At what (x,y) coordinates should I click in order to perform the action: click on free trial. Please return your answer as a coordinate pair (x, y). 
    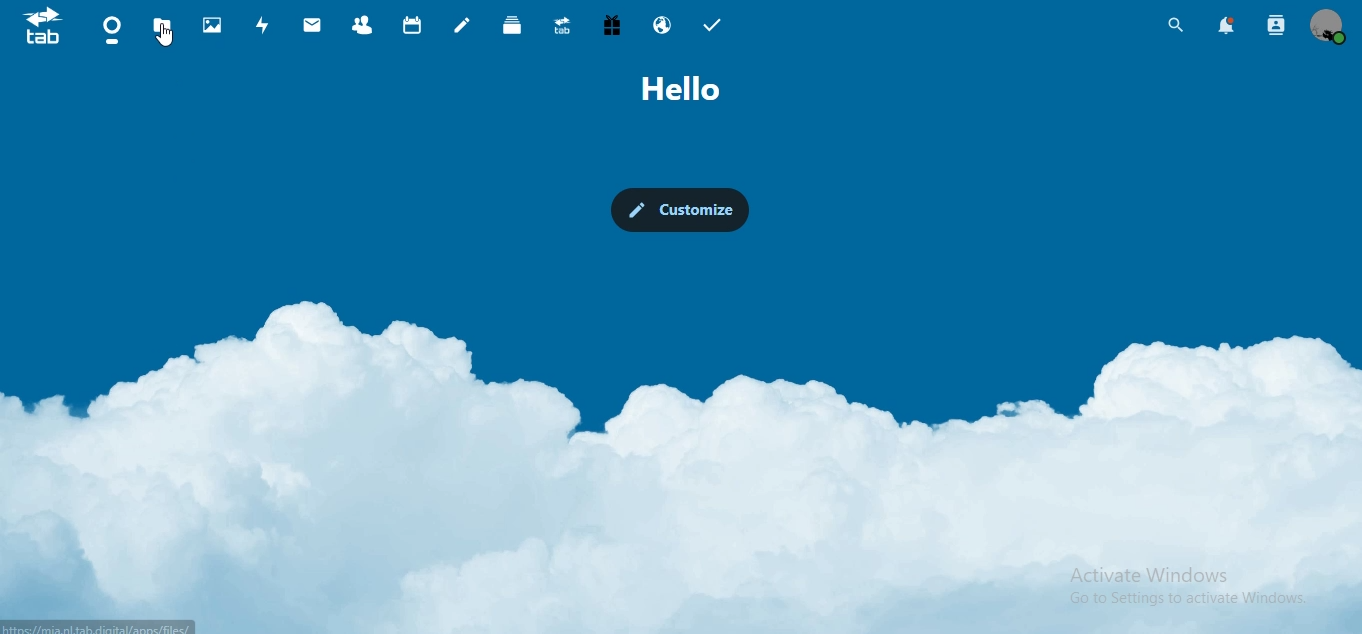
    Looking at the image, I should click on (614, 24).